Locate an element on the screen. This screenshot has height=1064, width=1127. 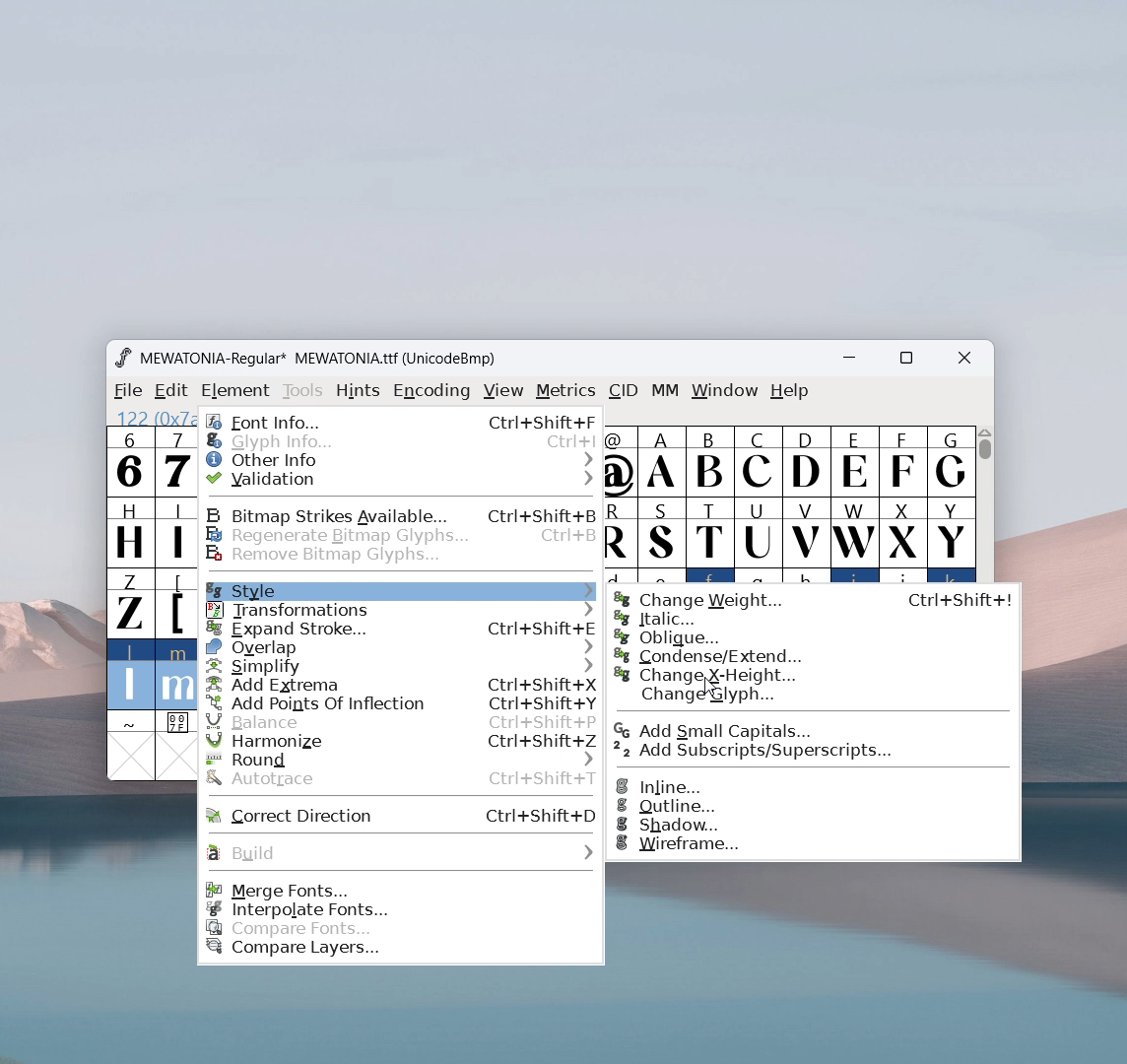
D is located at coordinates (805, 460).